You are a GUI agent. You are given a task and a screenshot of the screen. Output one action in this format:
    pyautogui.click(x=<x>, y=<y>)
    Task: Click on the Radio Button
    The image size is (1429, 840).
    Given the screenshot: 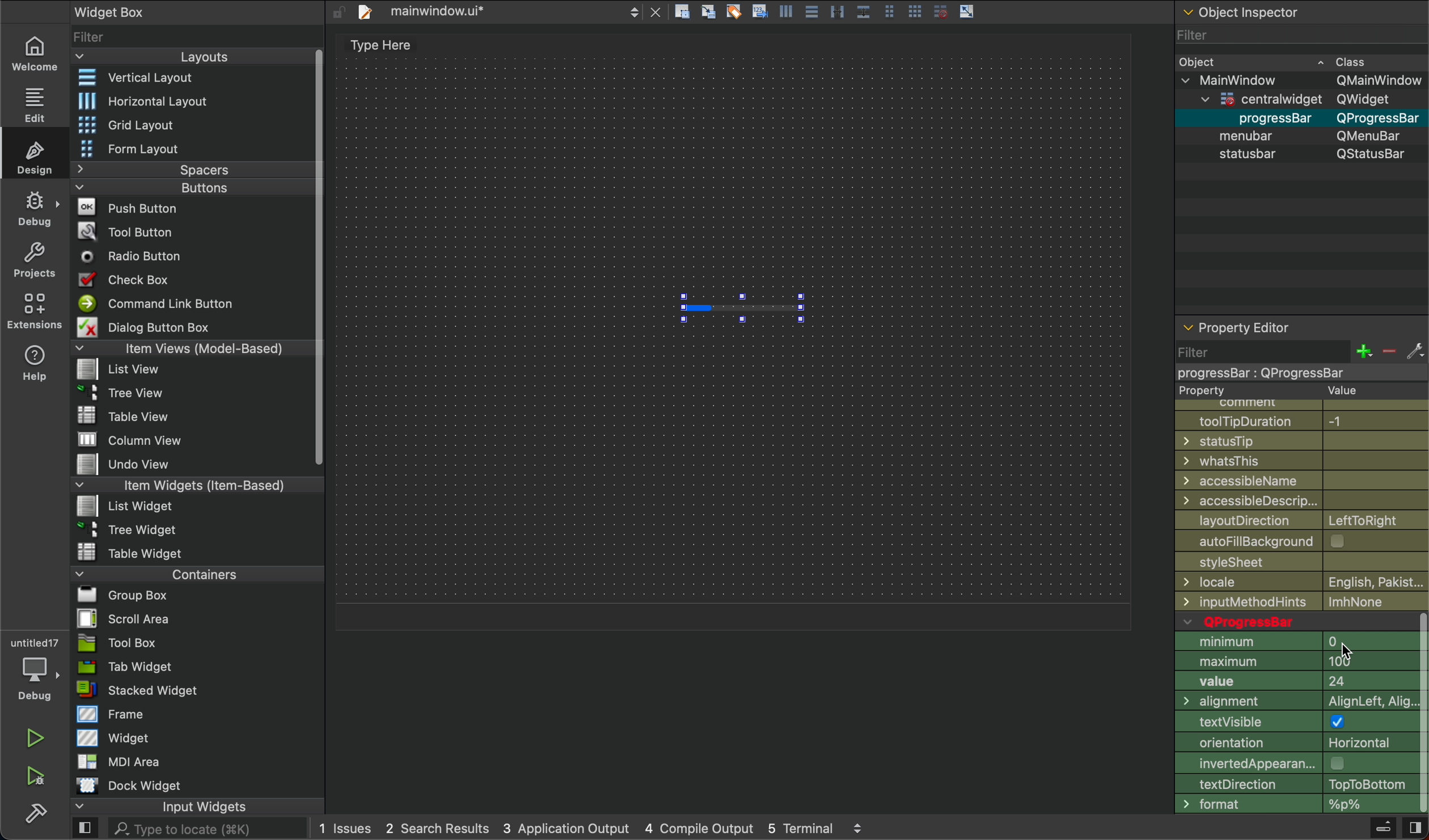 What is the action you would take?
    pyautogui.click(x=136, y=256)
    